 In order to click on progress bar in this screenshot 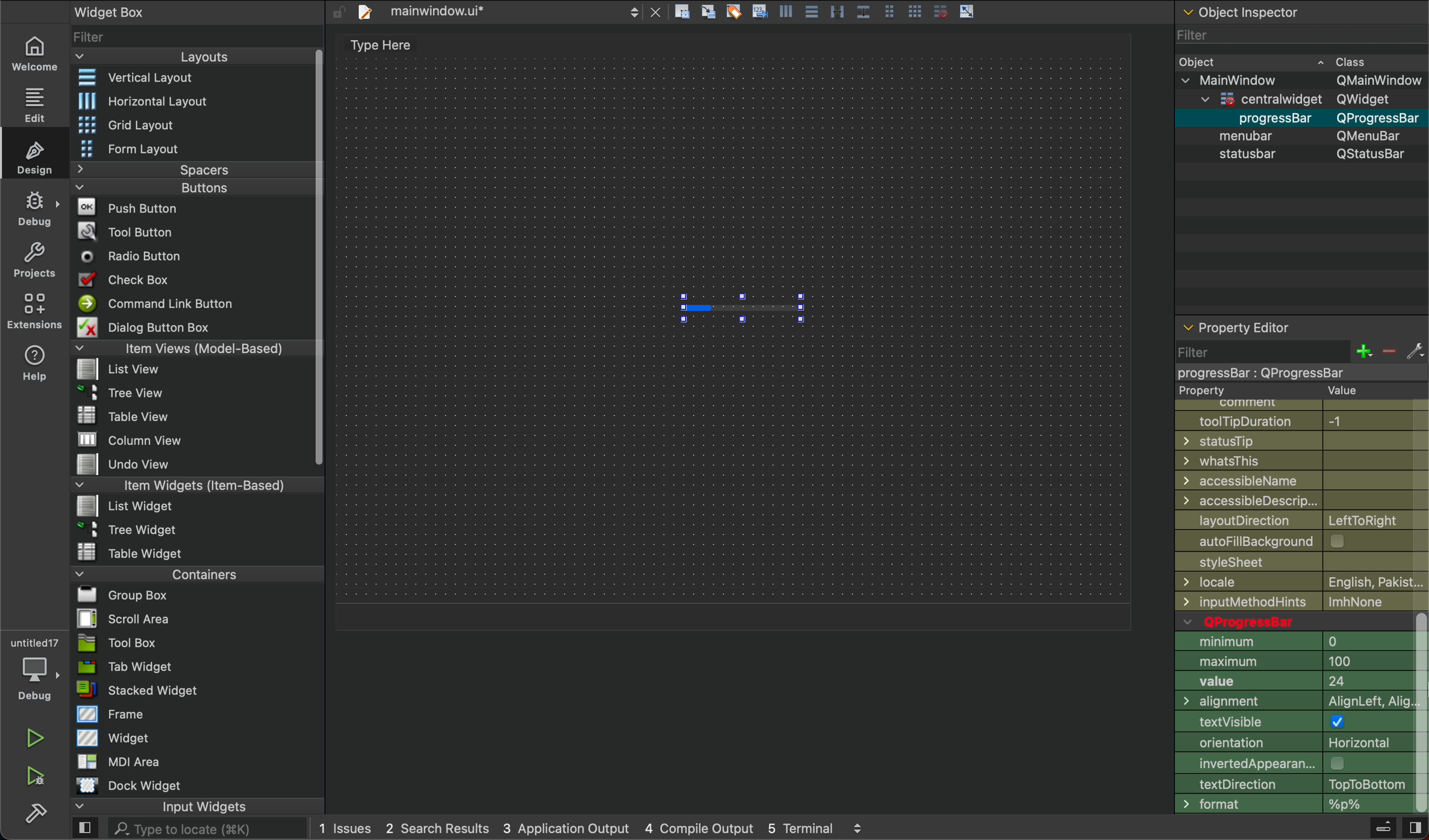, I will do `click(742, 308)`.